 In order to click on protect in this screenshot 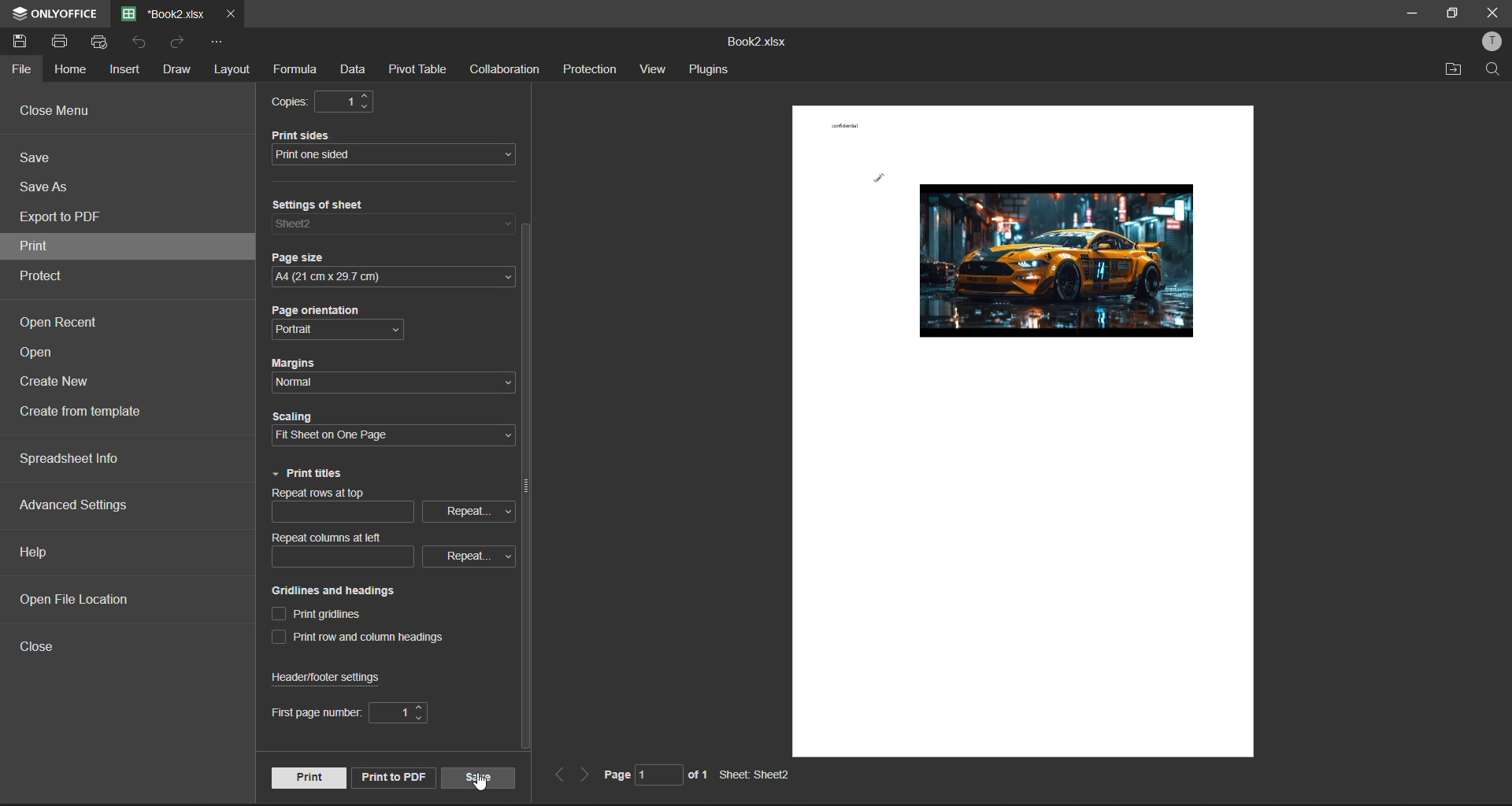, I will do `click(51, 277)`.